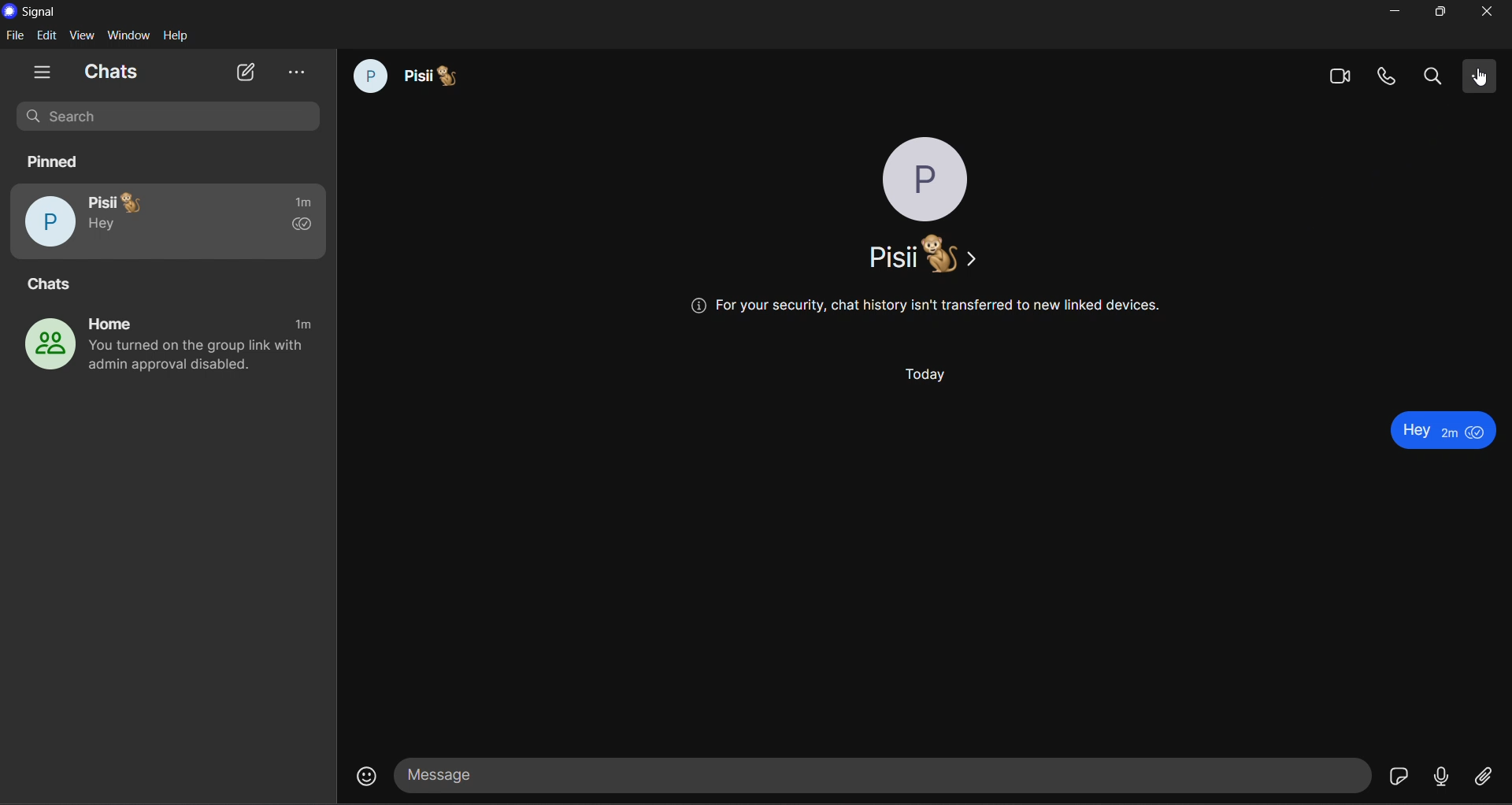 The image size is (1512, 805). Describe the element at coordinates (44, 72) in the screenshot. I see `show tabs` at that location.